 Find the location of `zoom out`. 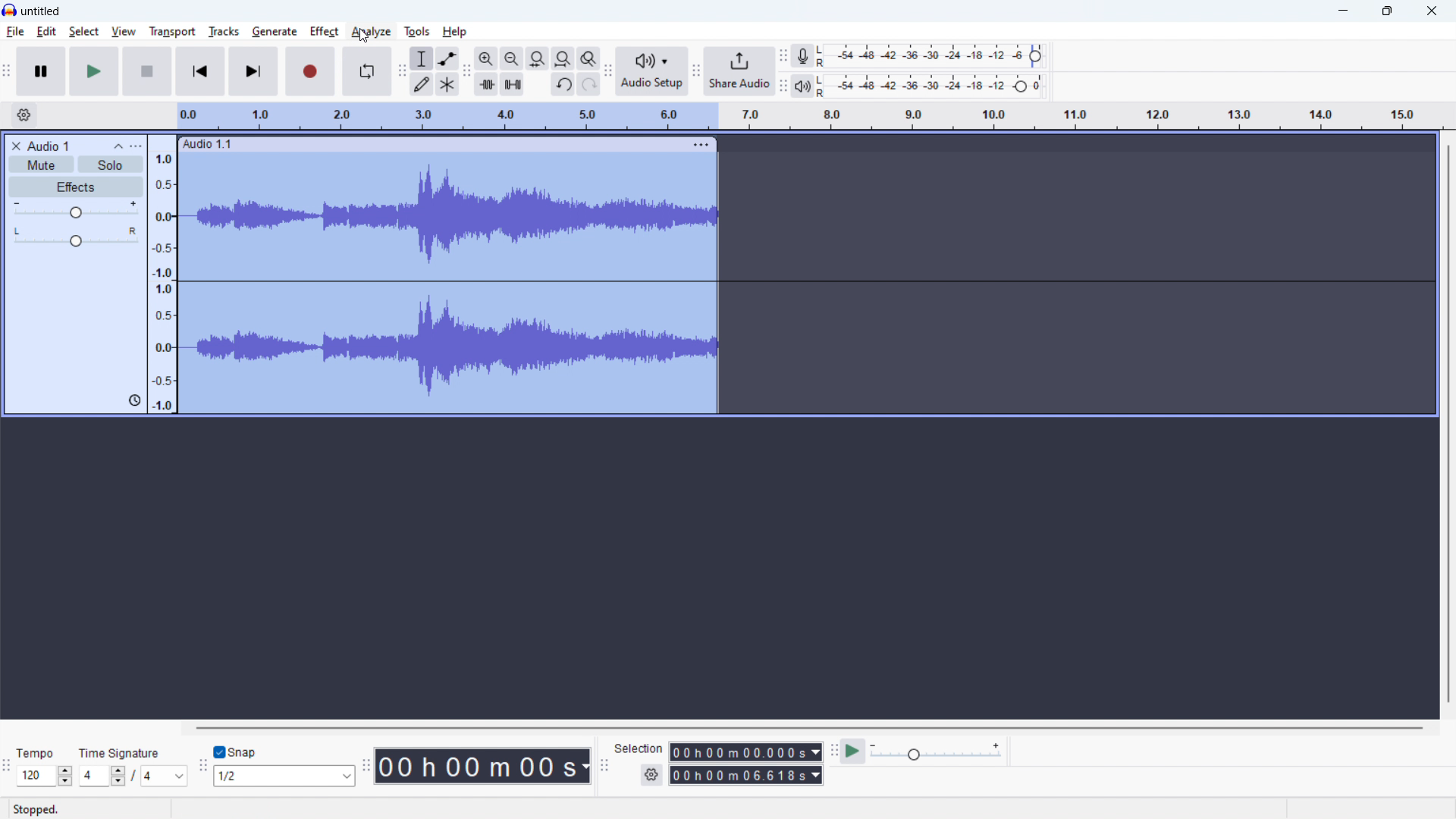

zoom out is located at coordinates (511, 58).